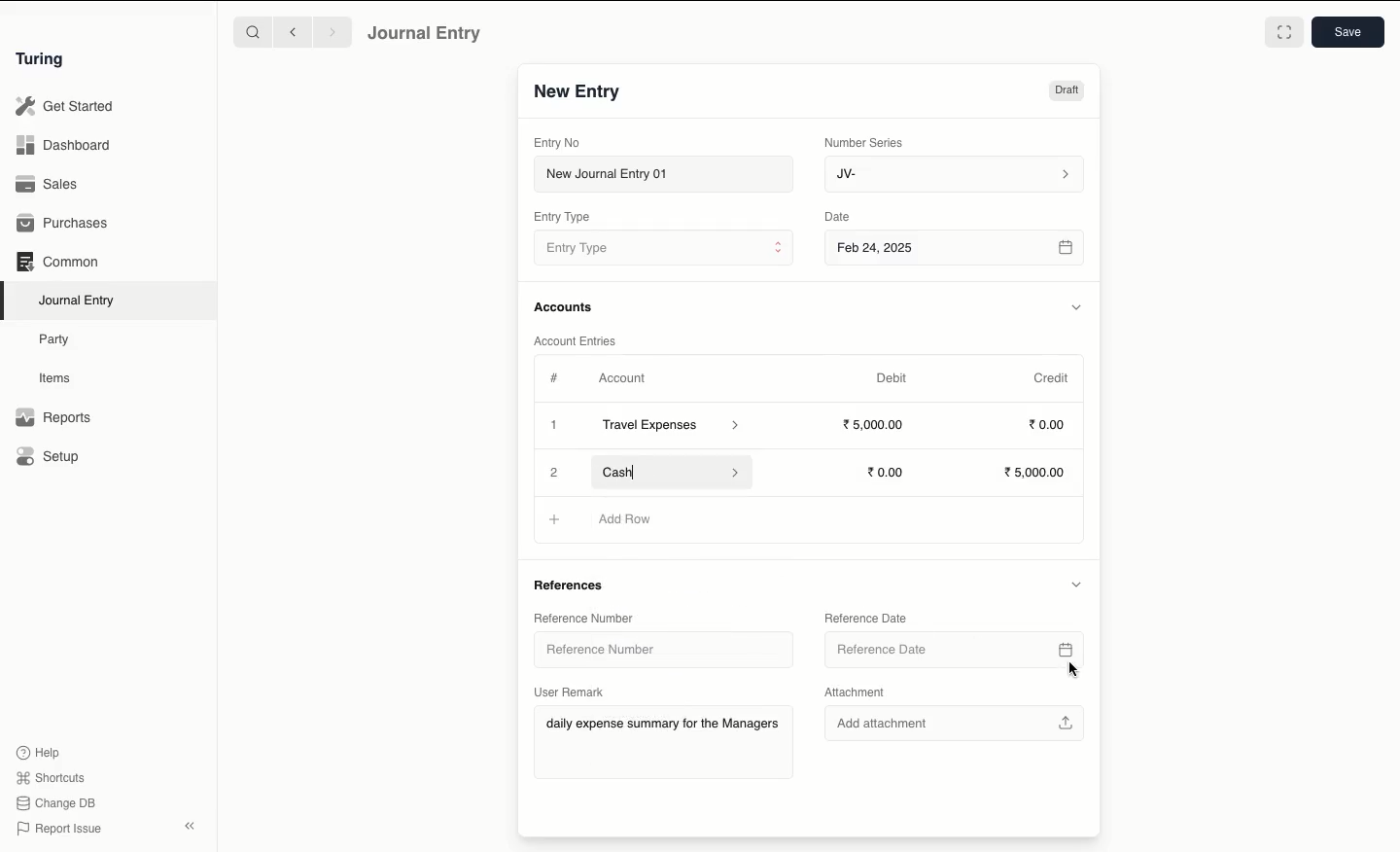 Image resolution: width=1400 pixels, height=852 pixels. I want to click on Reports, so click(53, 417).